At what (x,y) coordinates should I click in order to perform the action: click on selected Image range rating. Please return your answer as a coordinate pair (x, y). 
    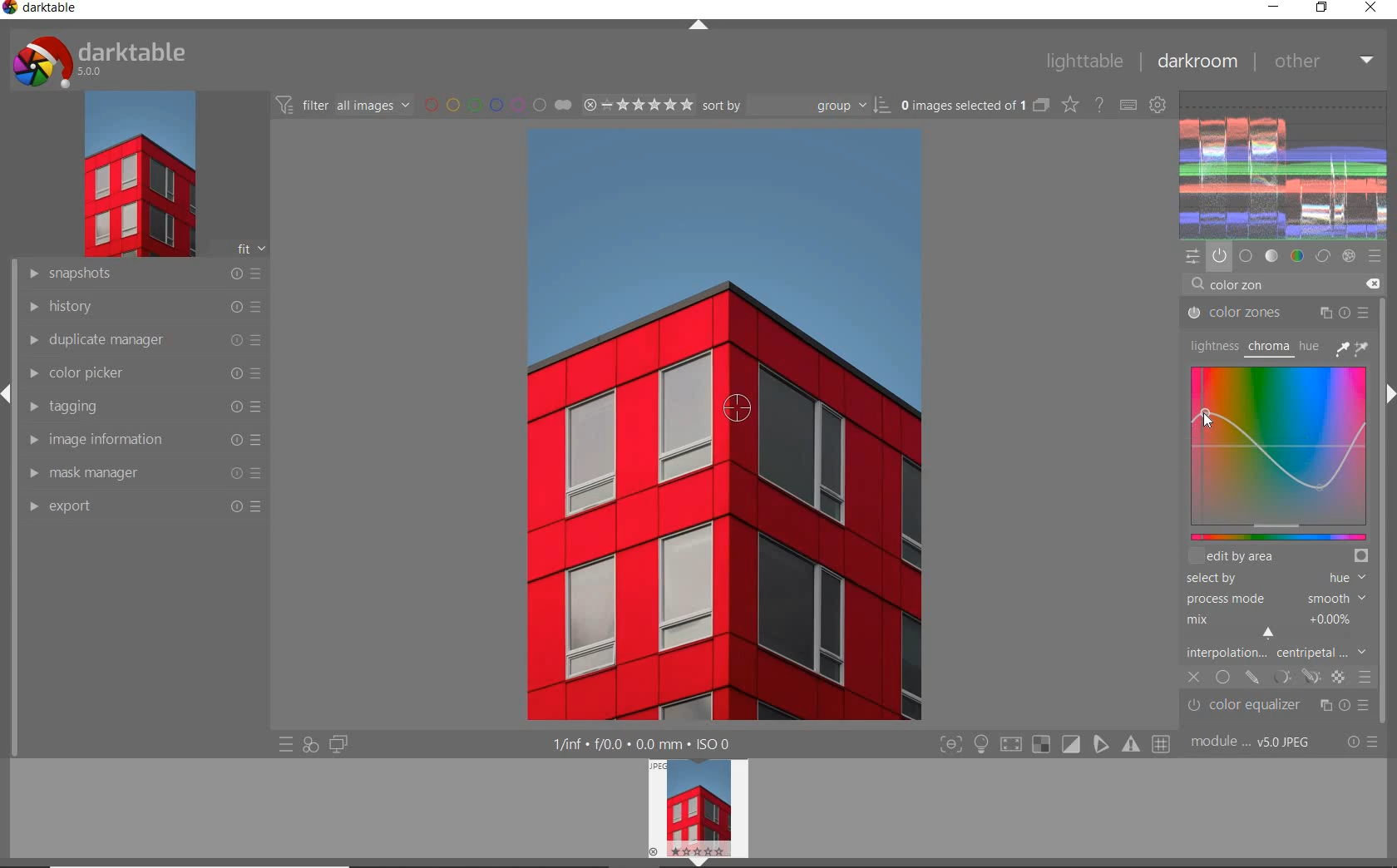
    Looking at the image, I should click on (639, 104).